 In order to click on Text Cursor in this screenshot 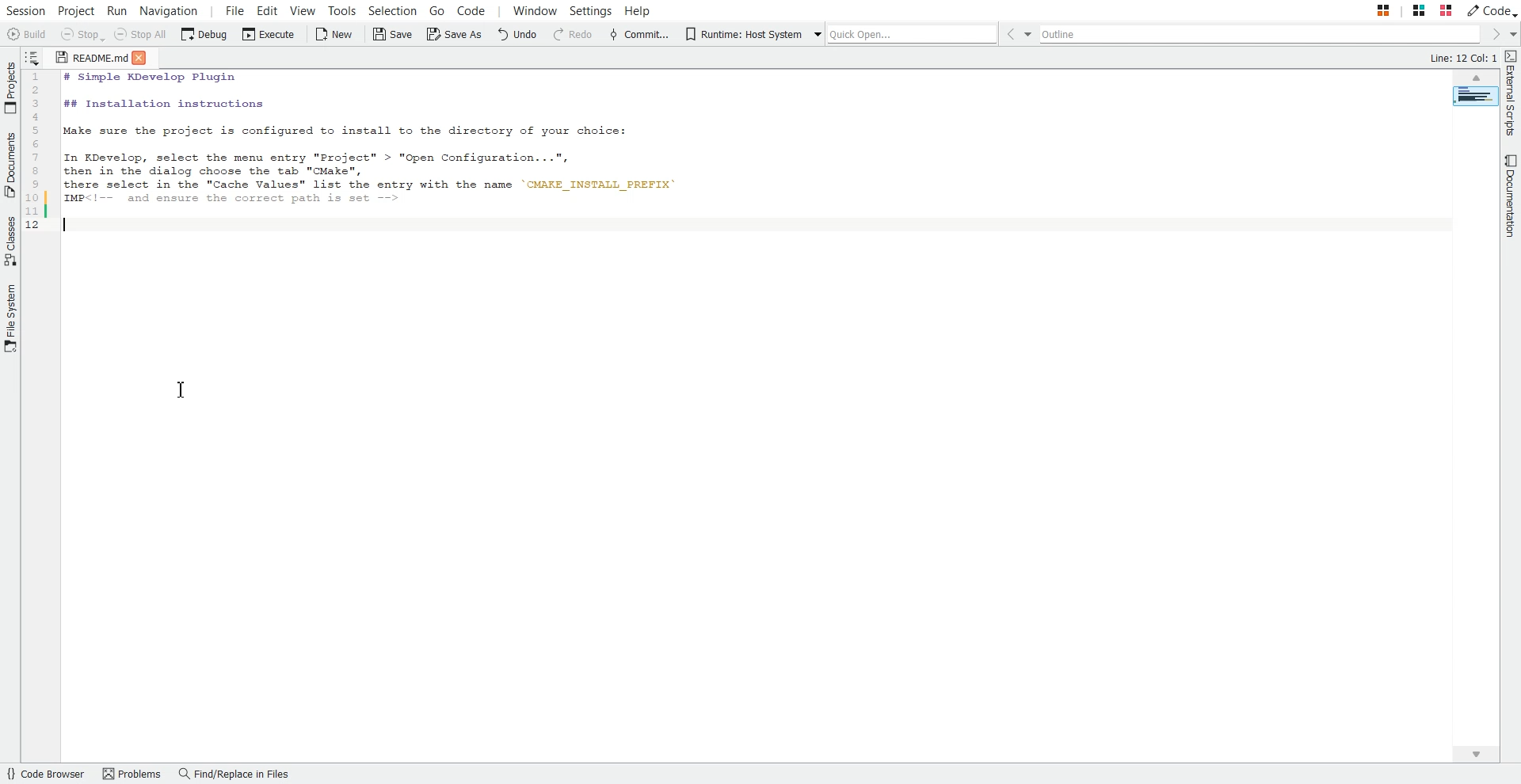, I will do `click(183, 390)`.